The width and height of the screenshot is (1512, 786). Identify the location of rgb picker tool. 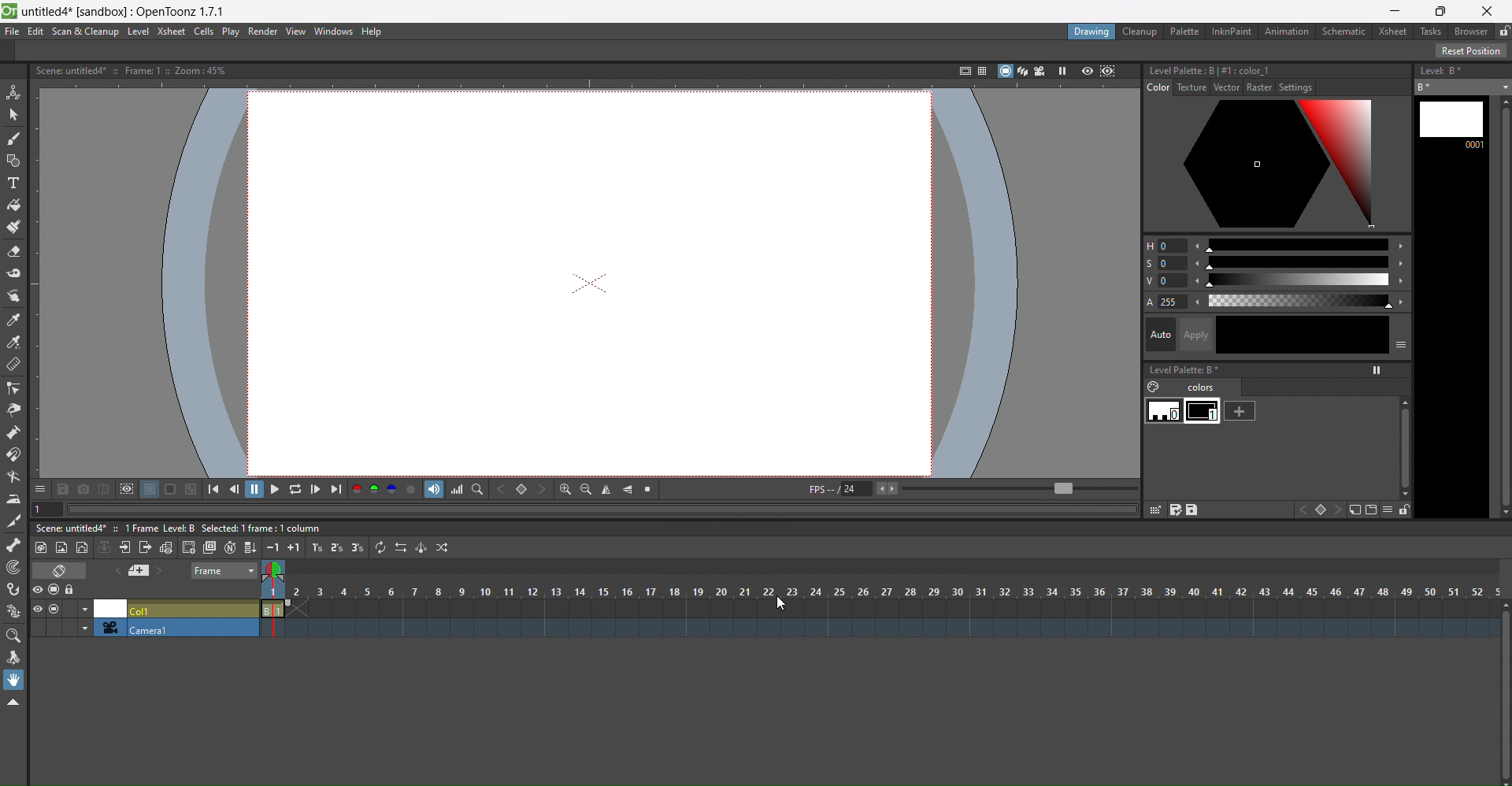
(13, 343).